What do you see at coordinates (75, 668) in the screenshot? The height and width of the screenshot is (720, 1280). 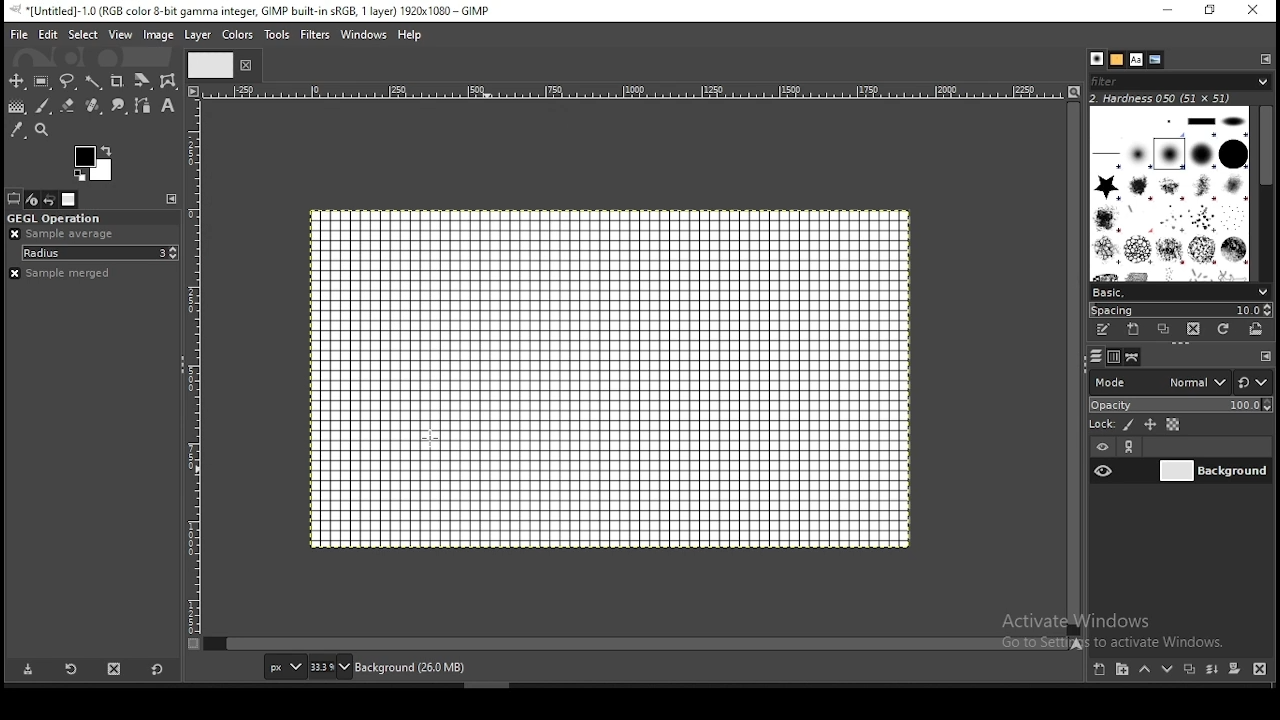 I see `restore tool preset` at bounding box center [75, 668].